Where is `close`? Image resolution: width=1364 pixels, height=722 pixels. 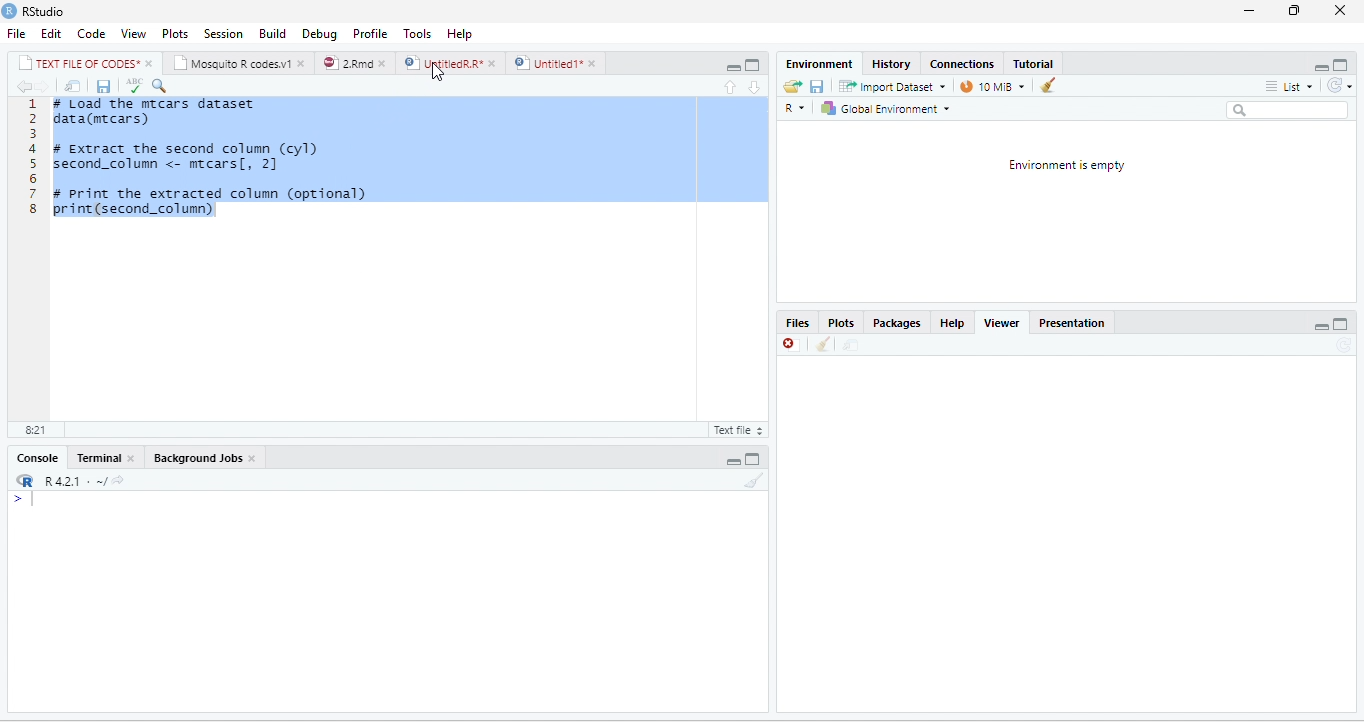
close is located at coordinates (595, 63).